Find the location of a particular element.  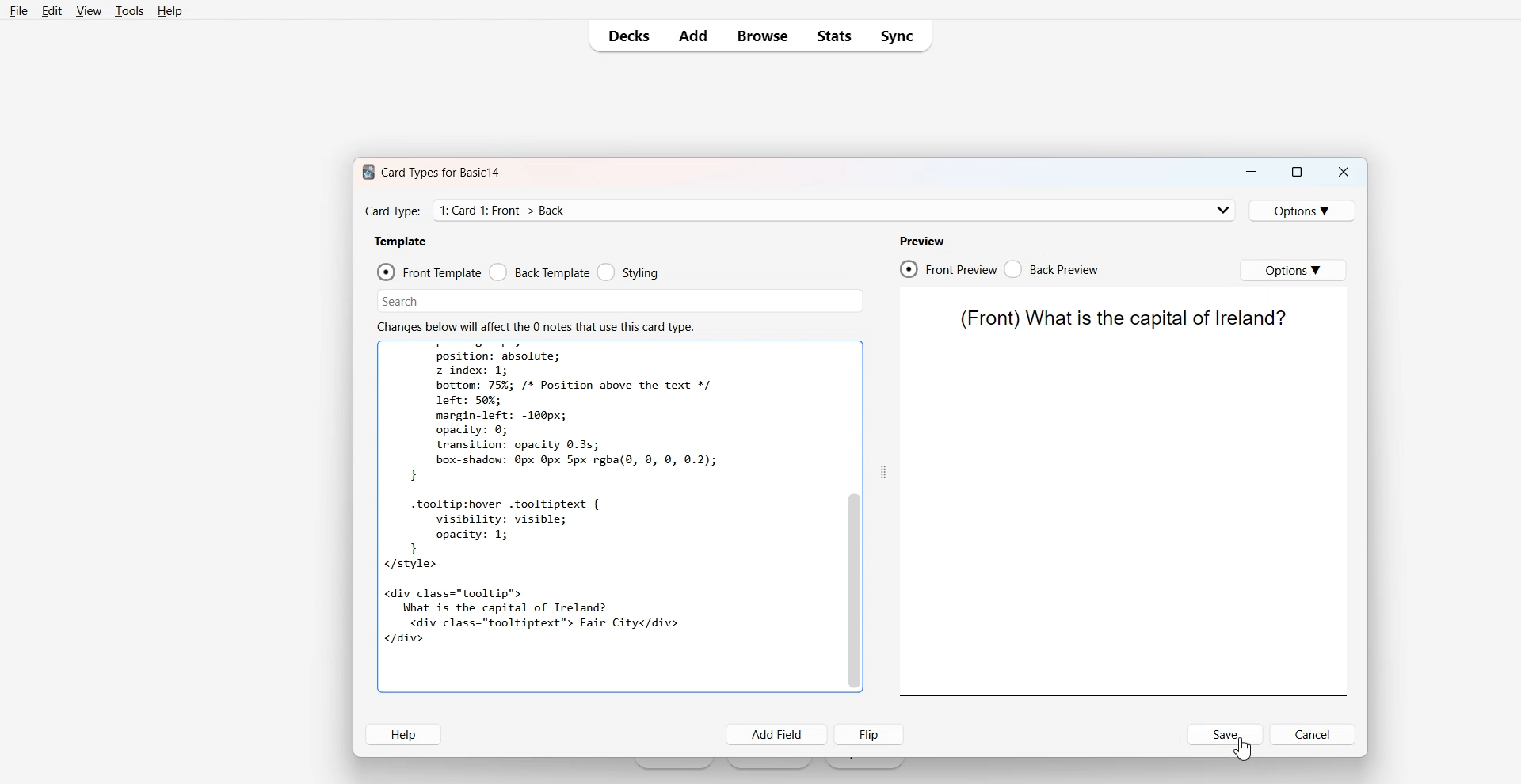

Add is located at coordinates (695, 36).